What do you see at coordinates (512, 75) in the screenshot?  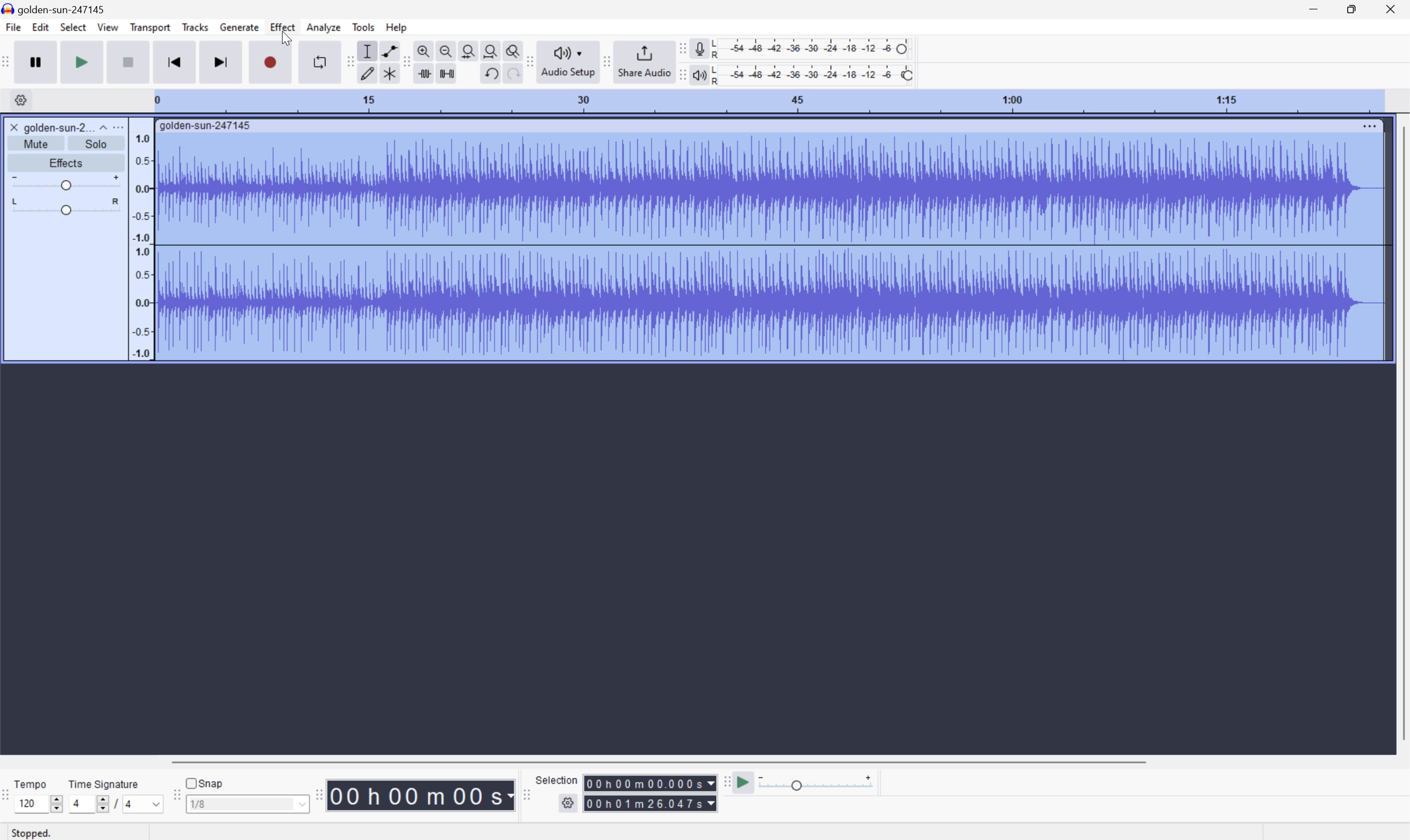 I see `Redo` at bounding box center [512, 75].